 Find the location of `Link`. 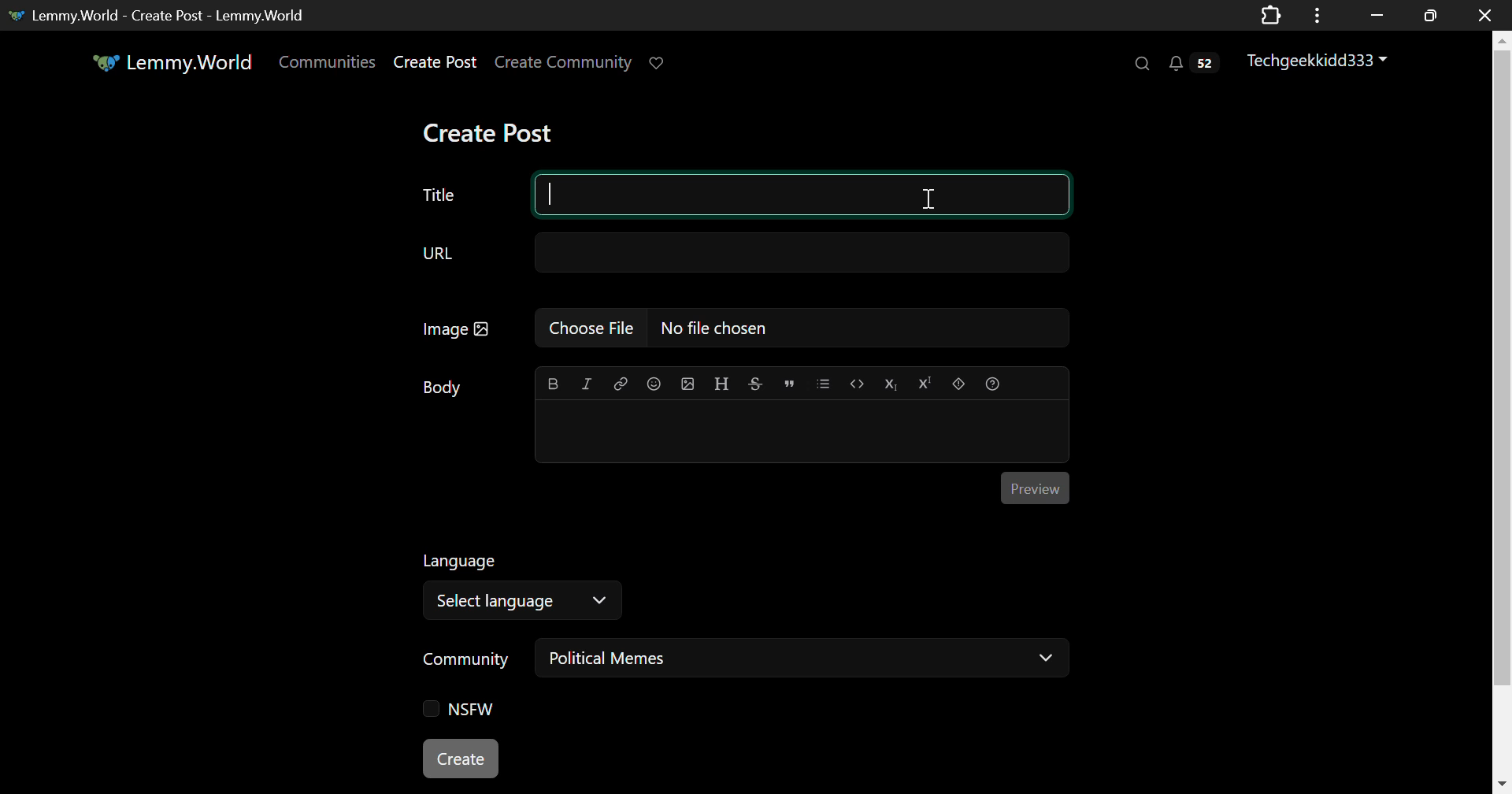

Link is located at coordinates (621, 382).